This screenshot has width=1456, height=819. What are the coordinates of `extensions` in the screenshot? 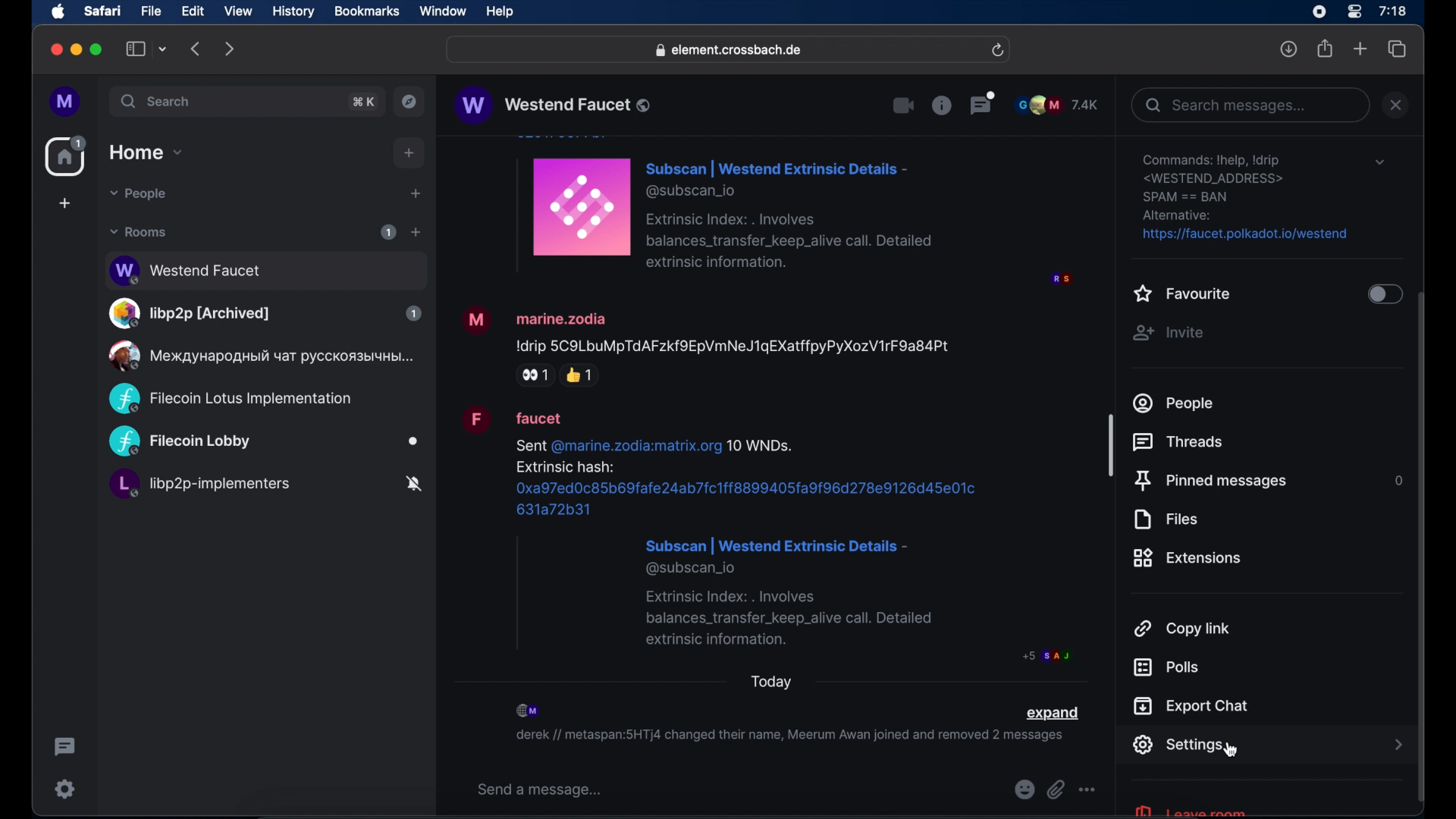 It's located at (1188, 558).